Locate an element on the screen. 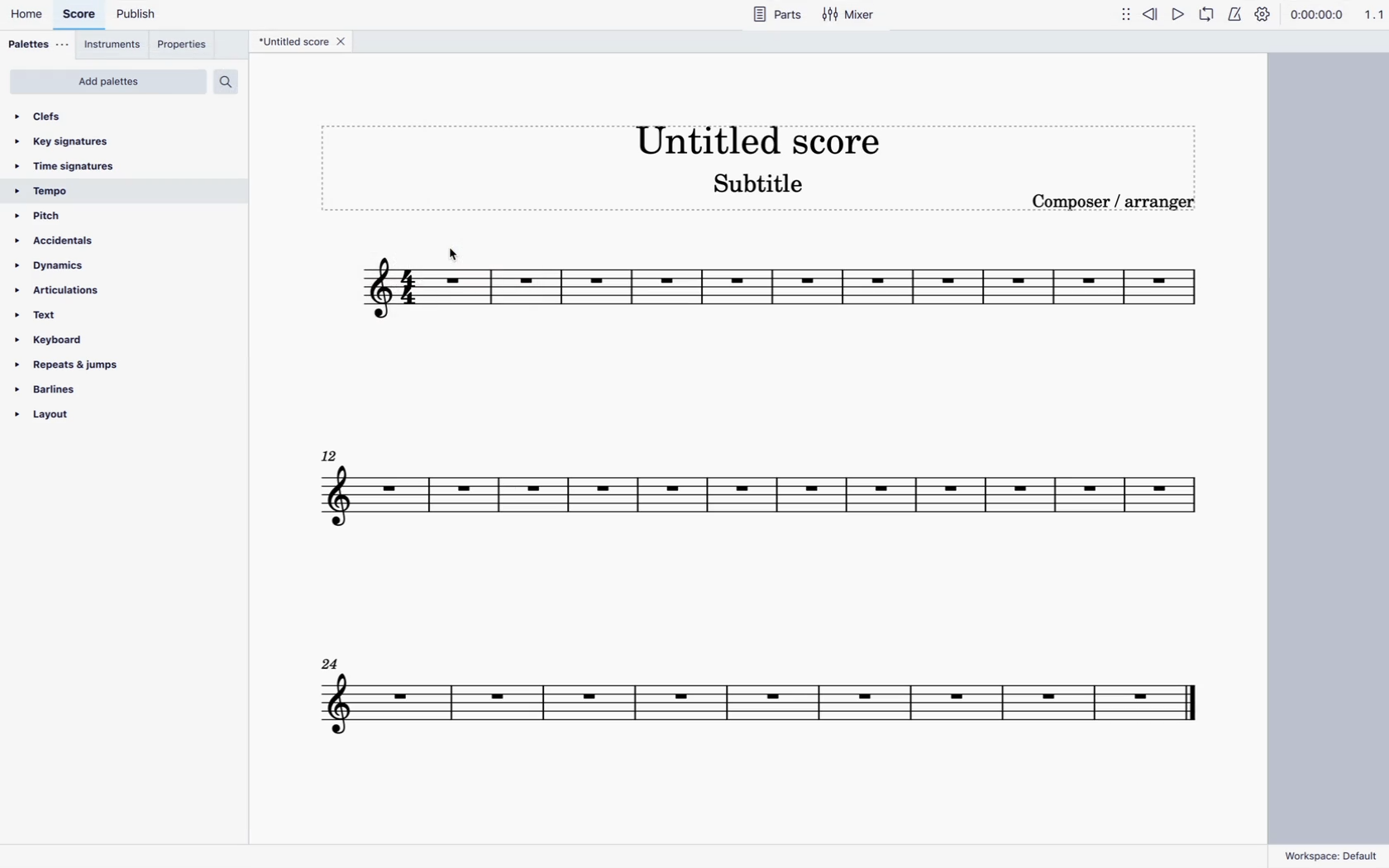  score title is located at coordinates (752, 136).